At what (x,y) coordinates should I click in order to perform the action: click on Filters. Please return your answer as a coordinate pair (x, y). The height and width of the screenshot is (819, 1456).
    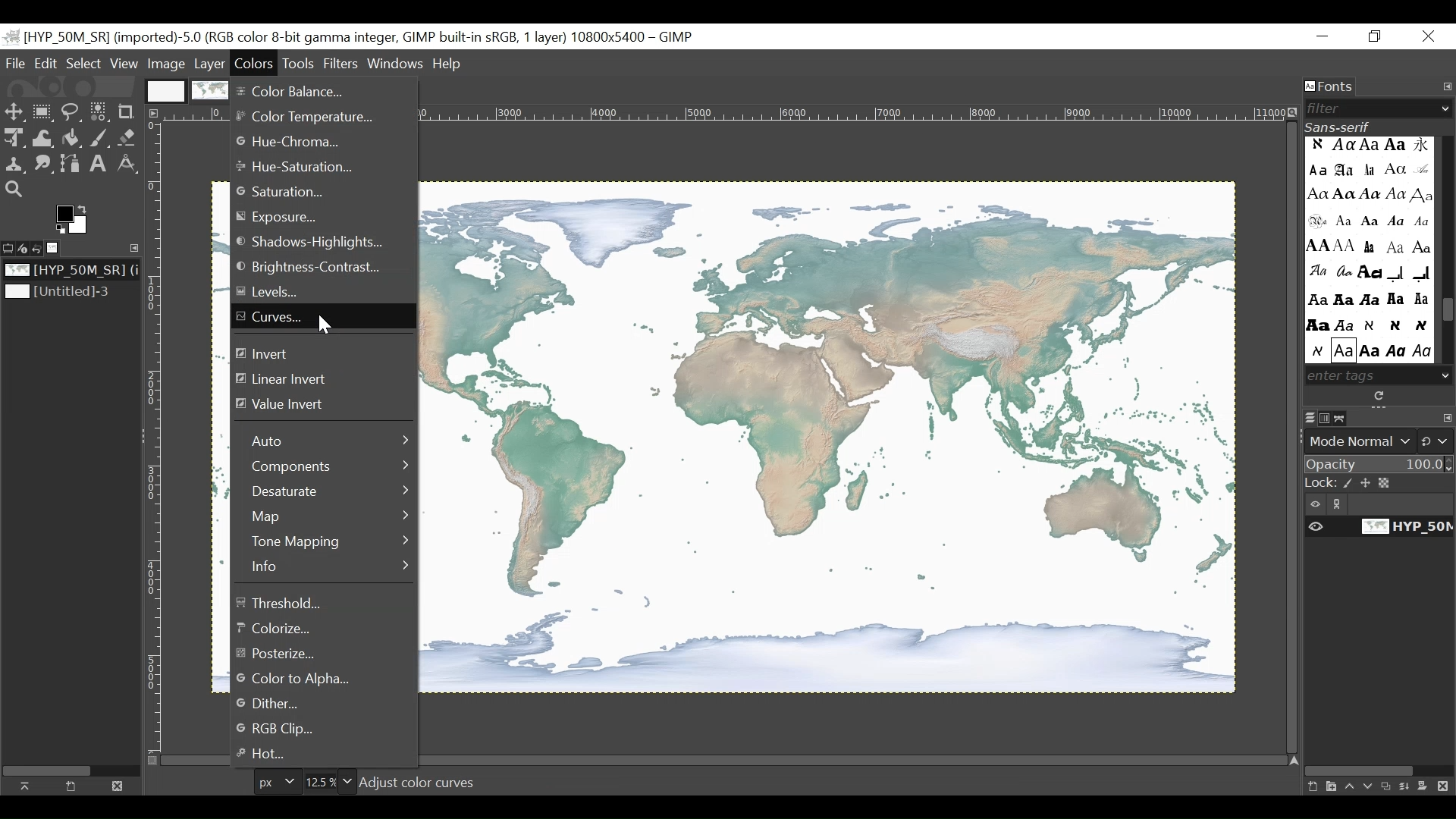
    Looking at the image, I should click on (343, 63).